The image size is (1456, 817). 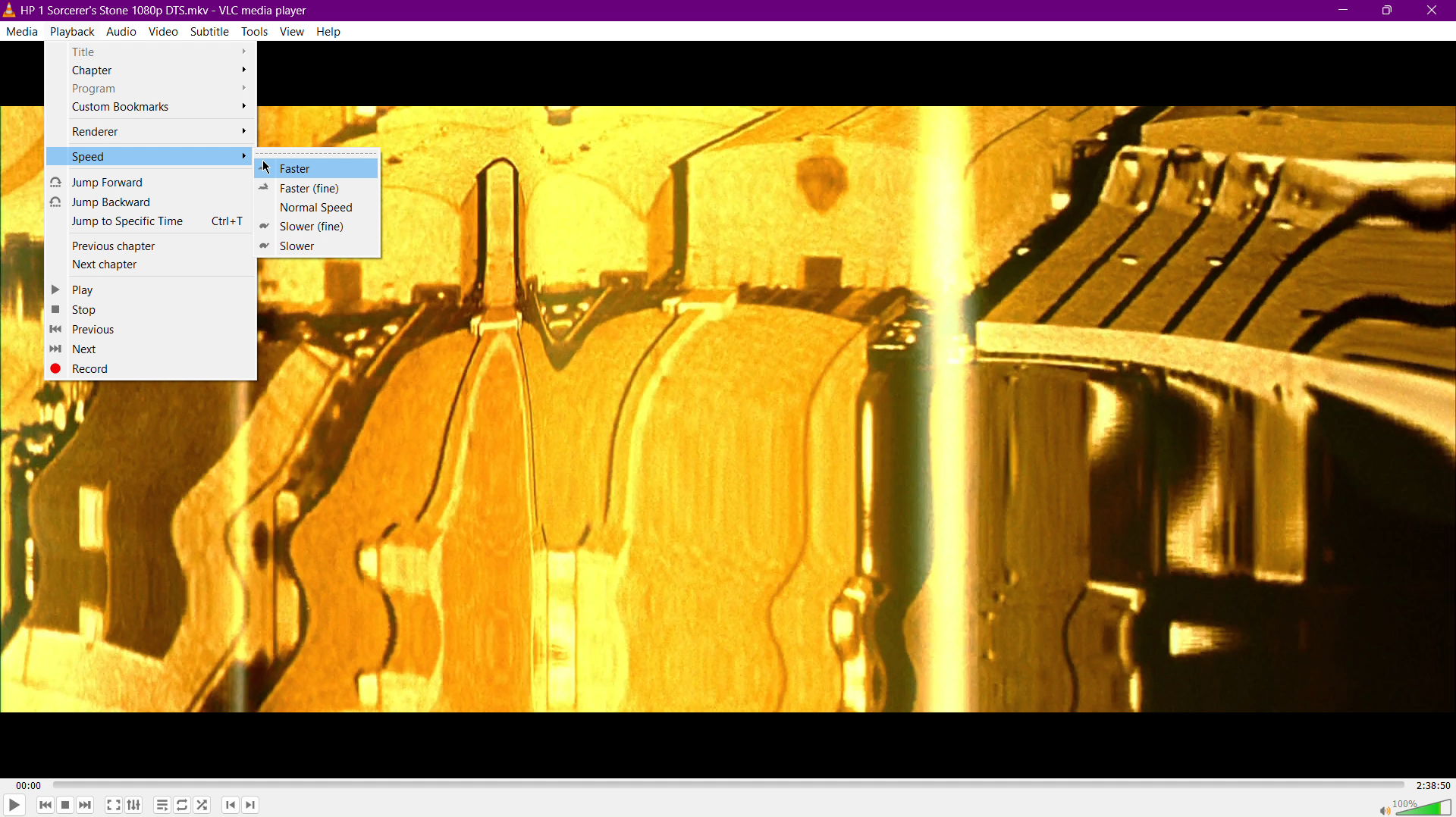 What do you see at coordinates (725, 783) in the screenshot?
I see `Timeline` at bounding box center [725, 783].